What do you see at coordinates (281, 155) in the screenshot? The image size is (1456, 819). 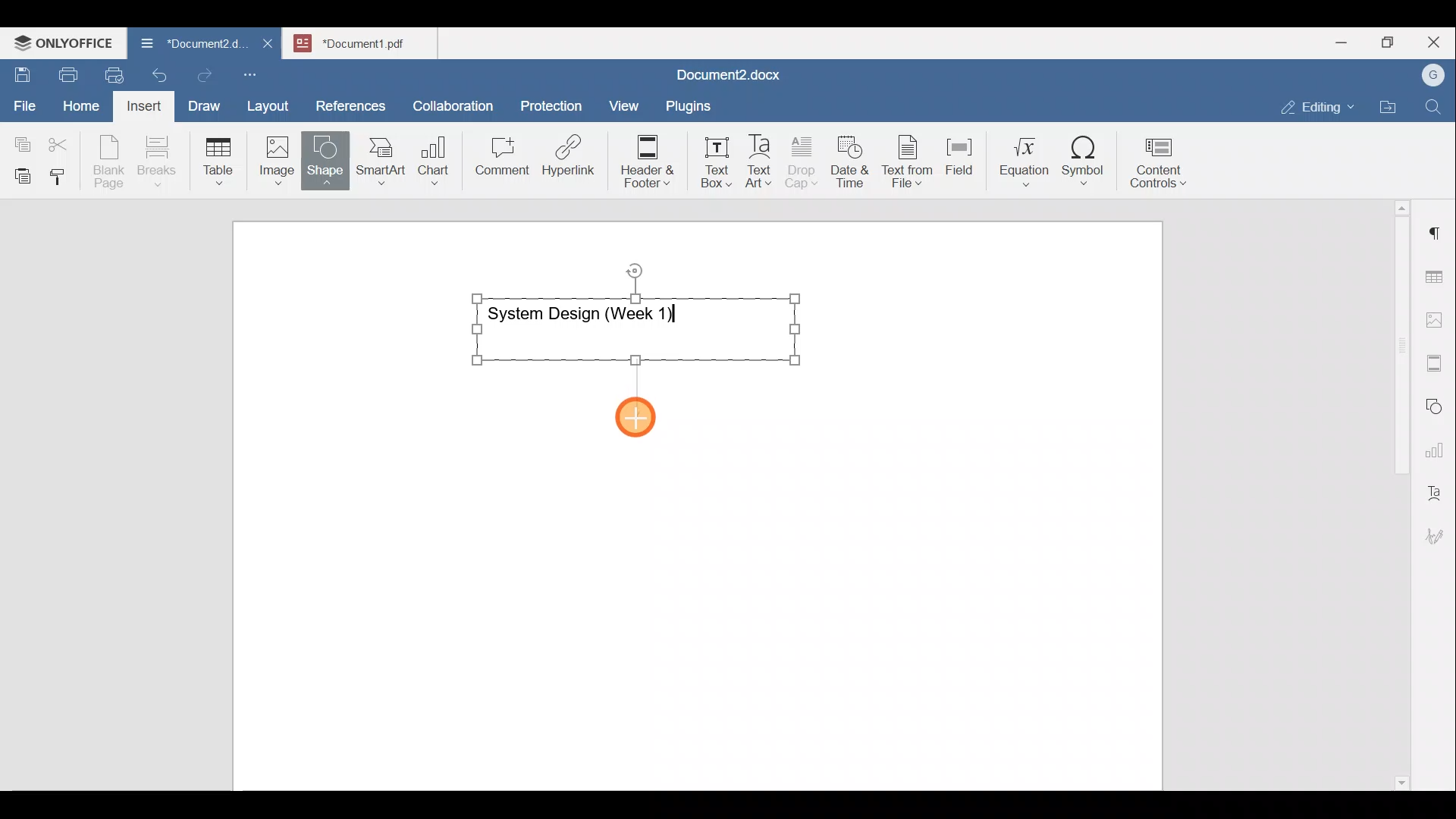 I see `Image` at bounding box center [281, 155].